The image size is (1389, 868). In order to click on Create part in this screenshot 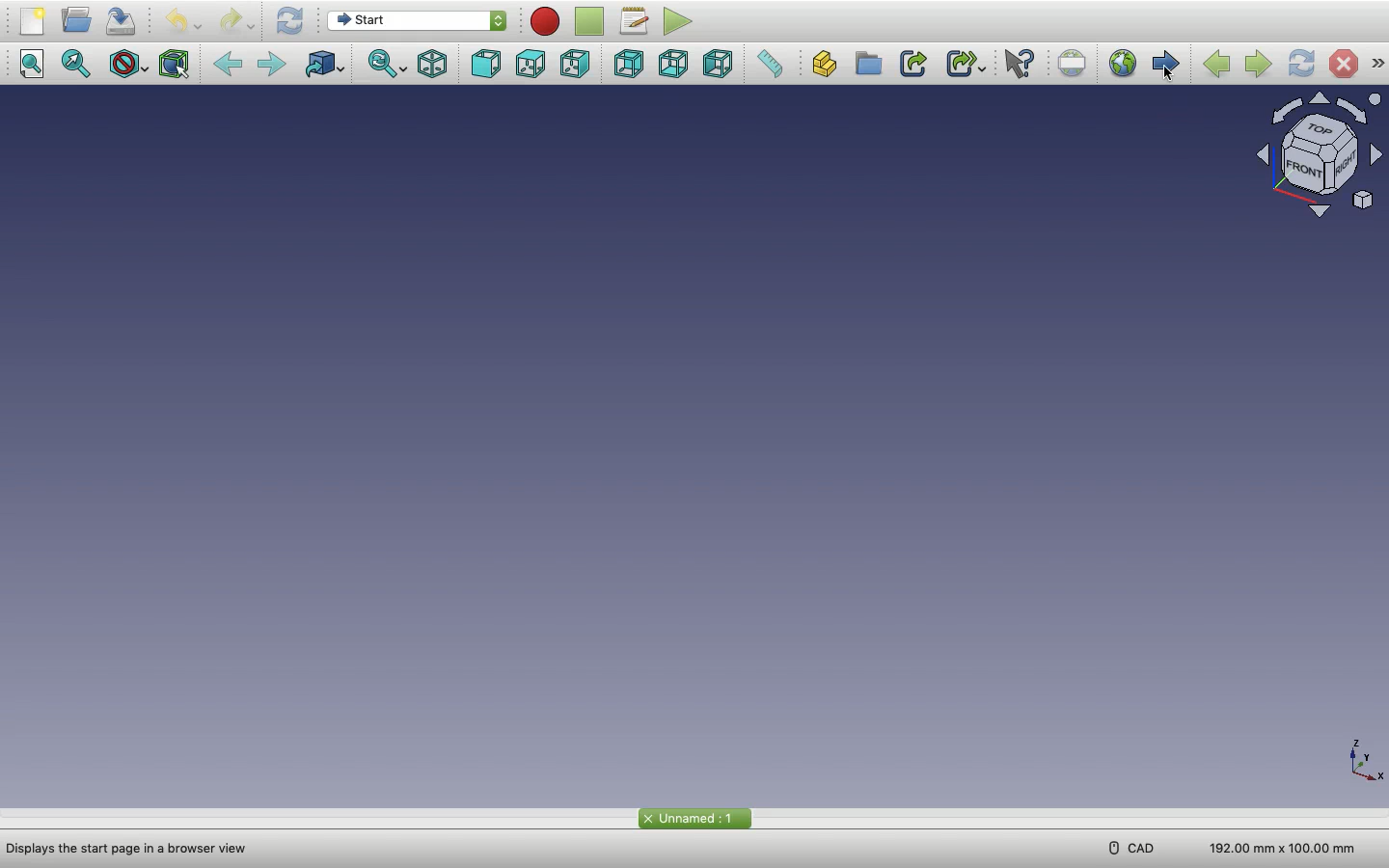, I will do `click(831, 65)`.